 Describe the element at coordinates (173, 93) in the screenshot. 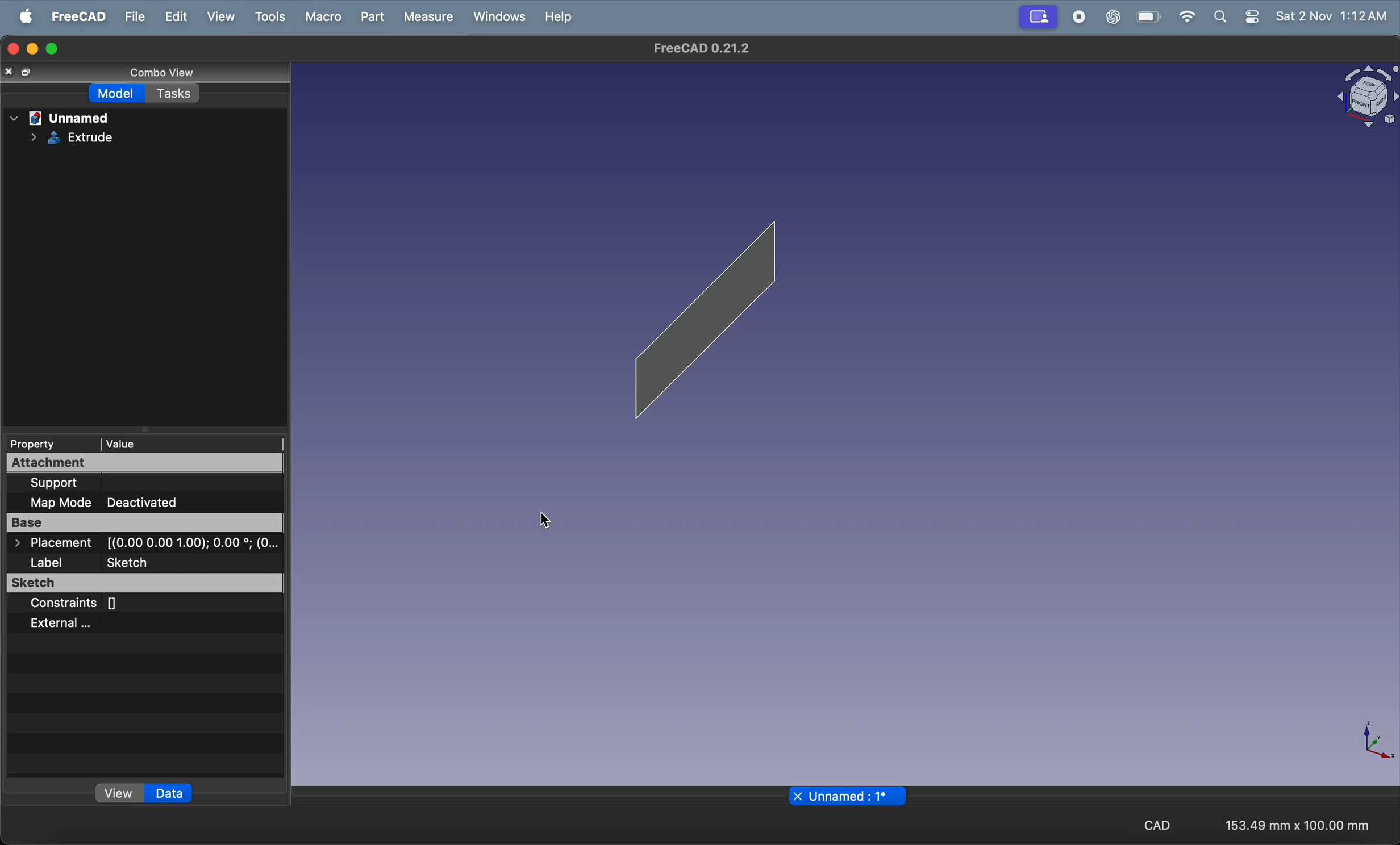

I see `tasks` at that location.